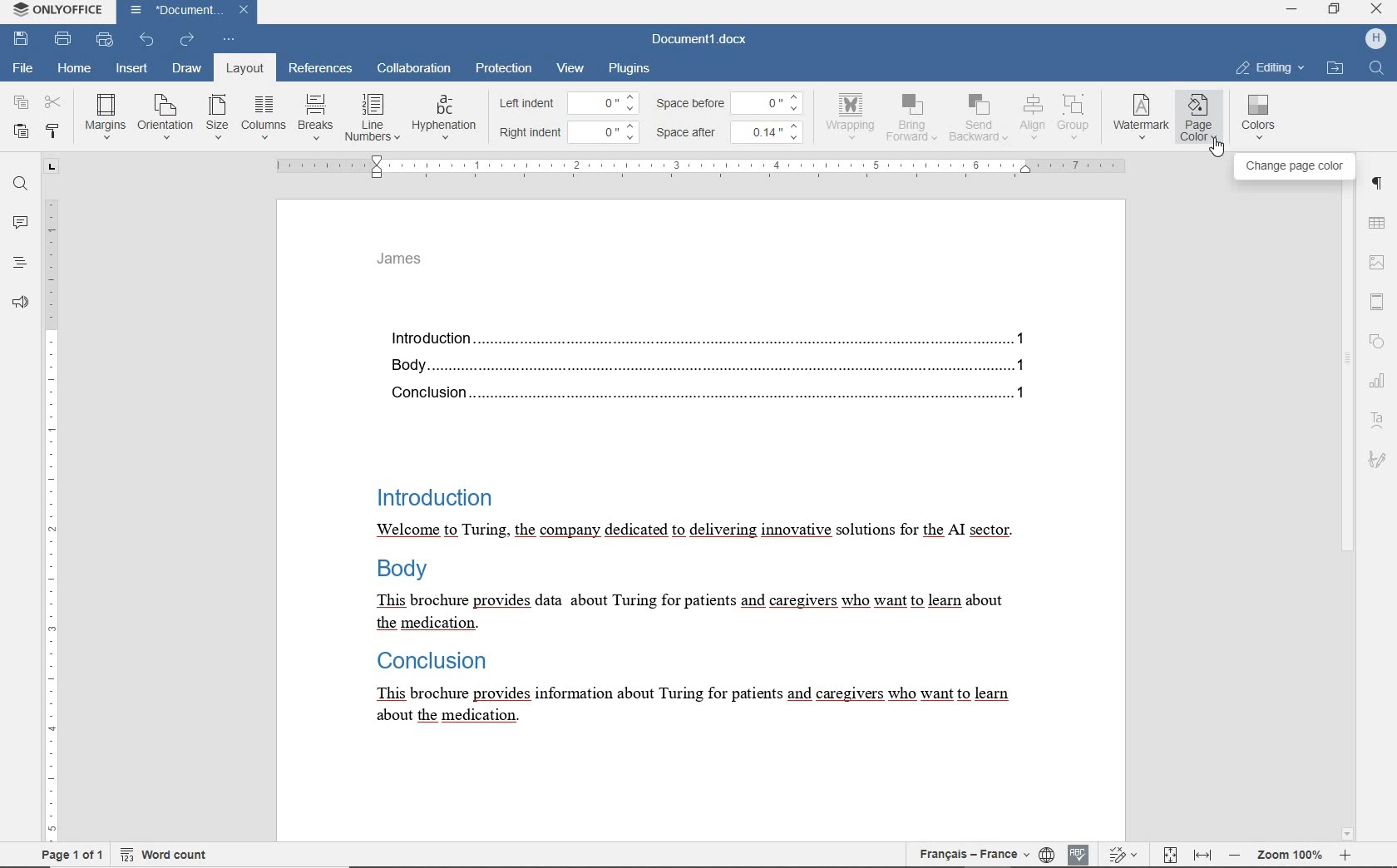  Describe the element at coordinates (975, 120) in the screenshot. I see `send backward` at that location.